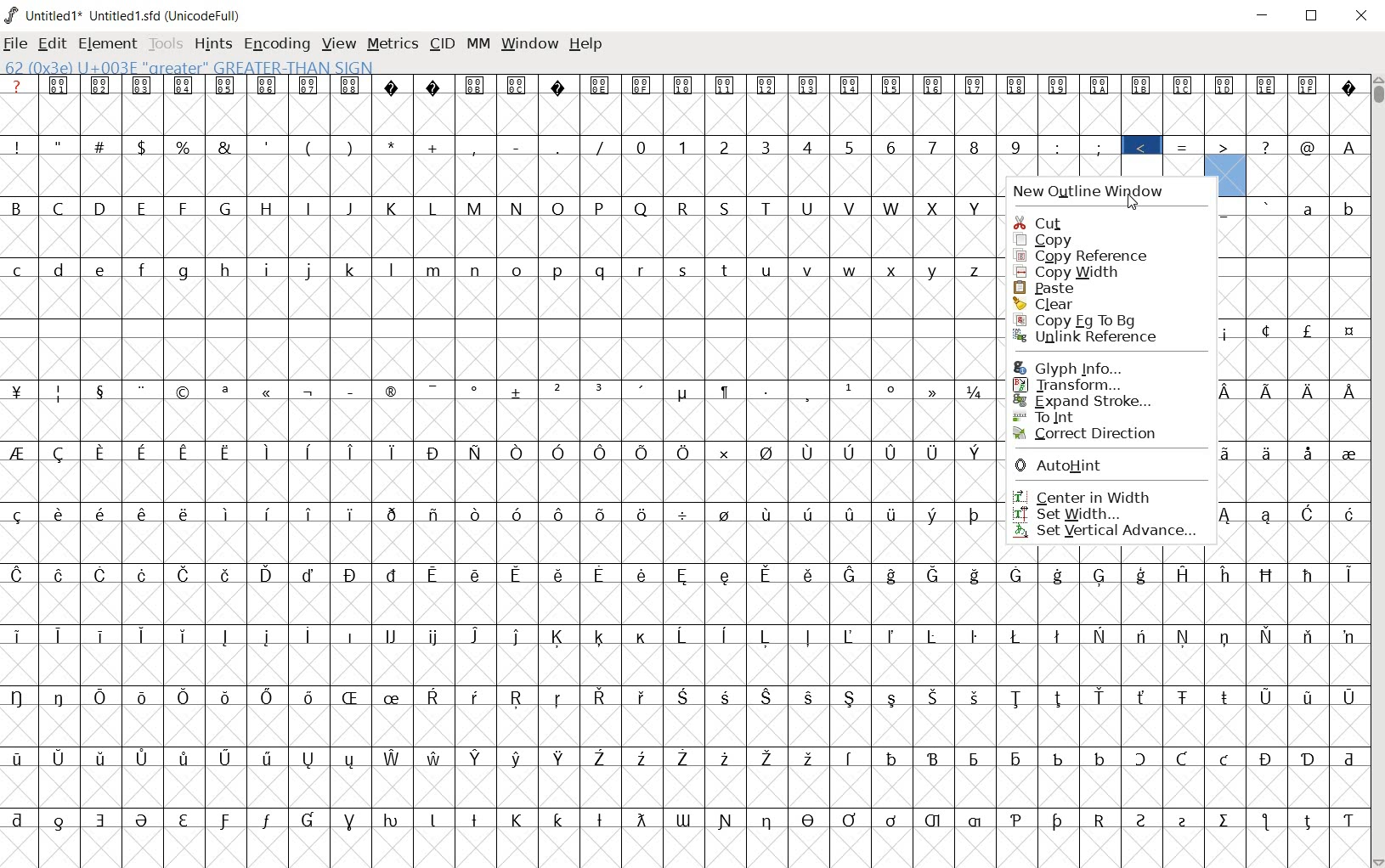  Describe the element at coordinates (1111, 532) in the screenshot. I see `set vertical advance` at that location.